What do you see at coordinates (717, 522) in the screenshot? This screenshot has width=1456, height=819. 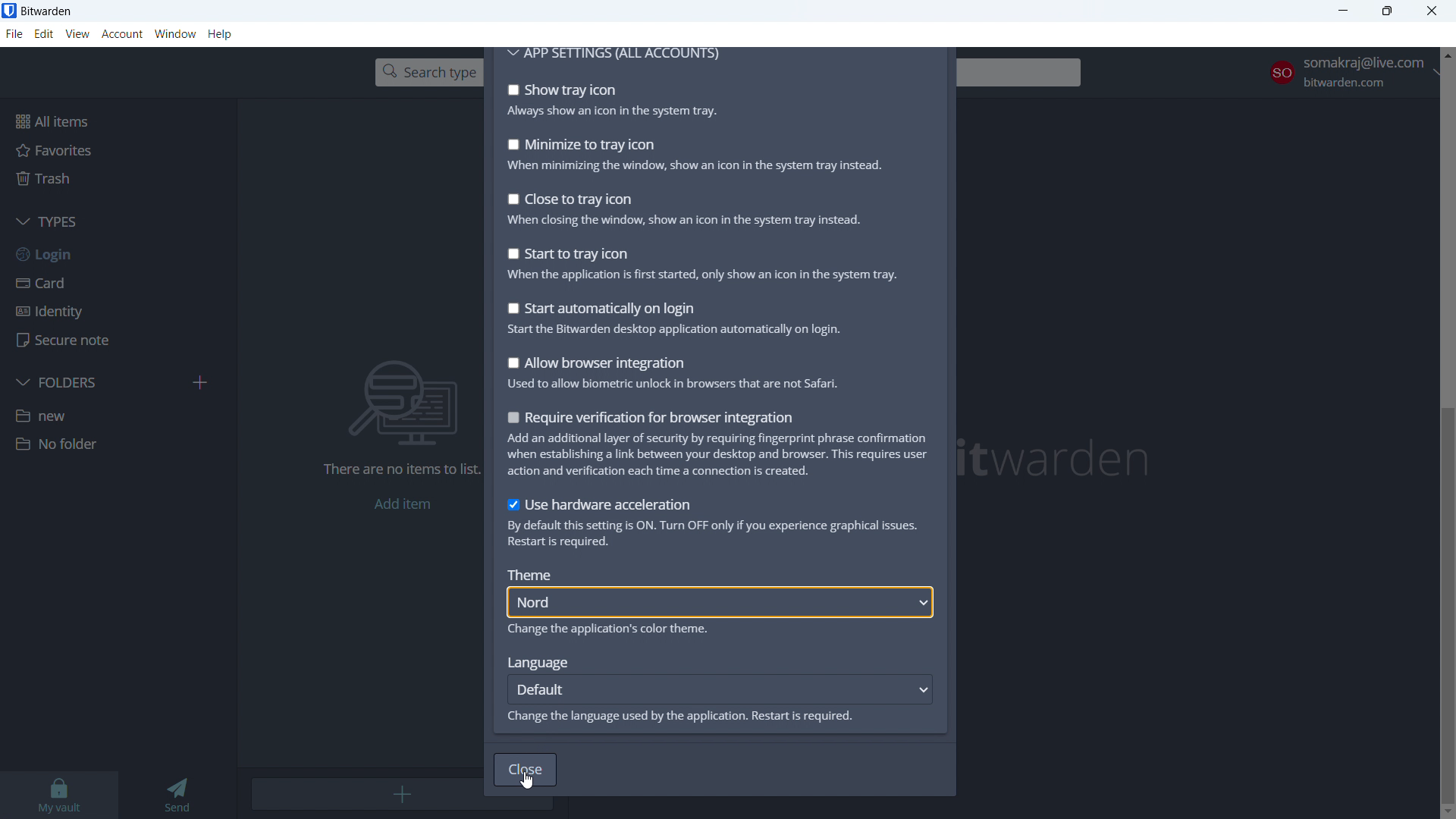 I see `use hardware acceleration` at bounding box center [717, 522].